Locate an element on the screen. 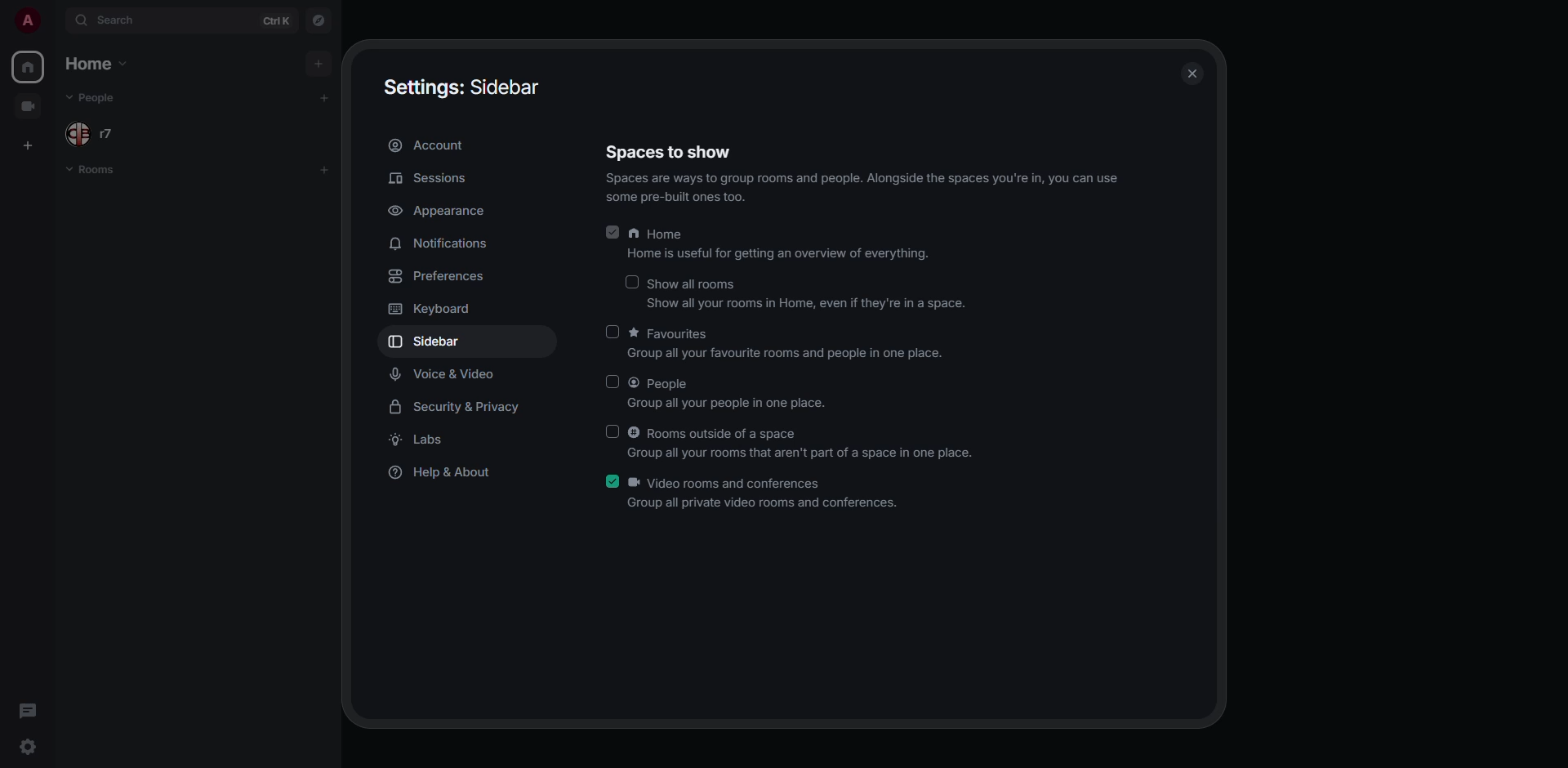  threads is located at coordinates (27, 710).